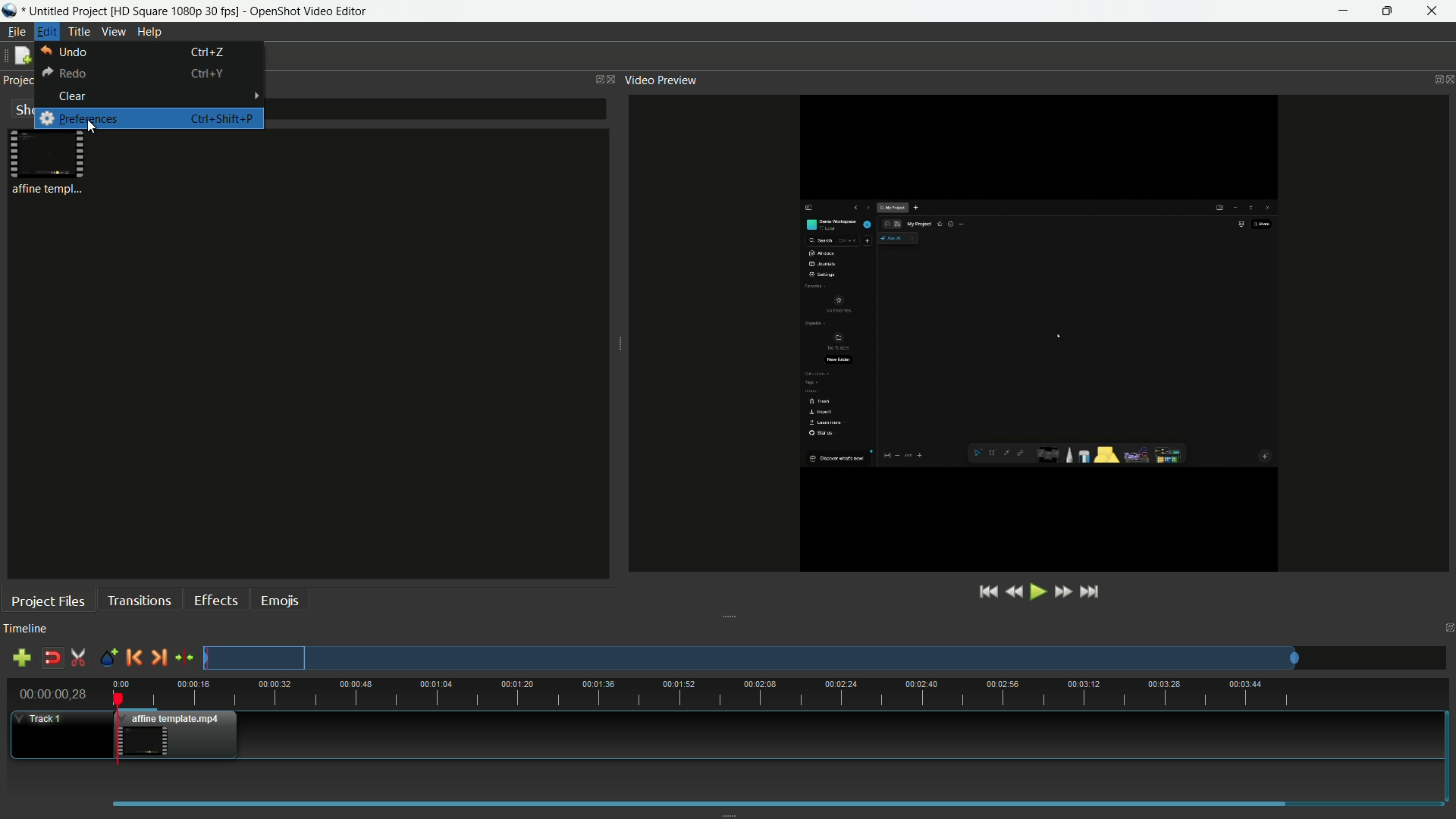  Describe the element at coordinates (1435, 11) in the screenshot. I see `close app` at that location.